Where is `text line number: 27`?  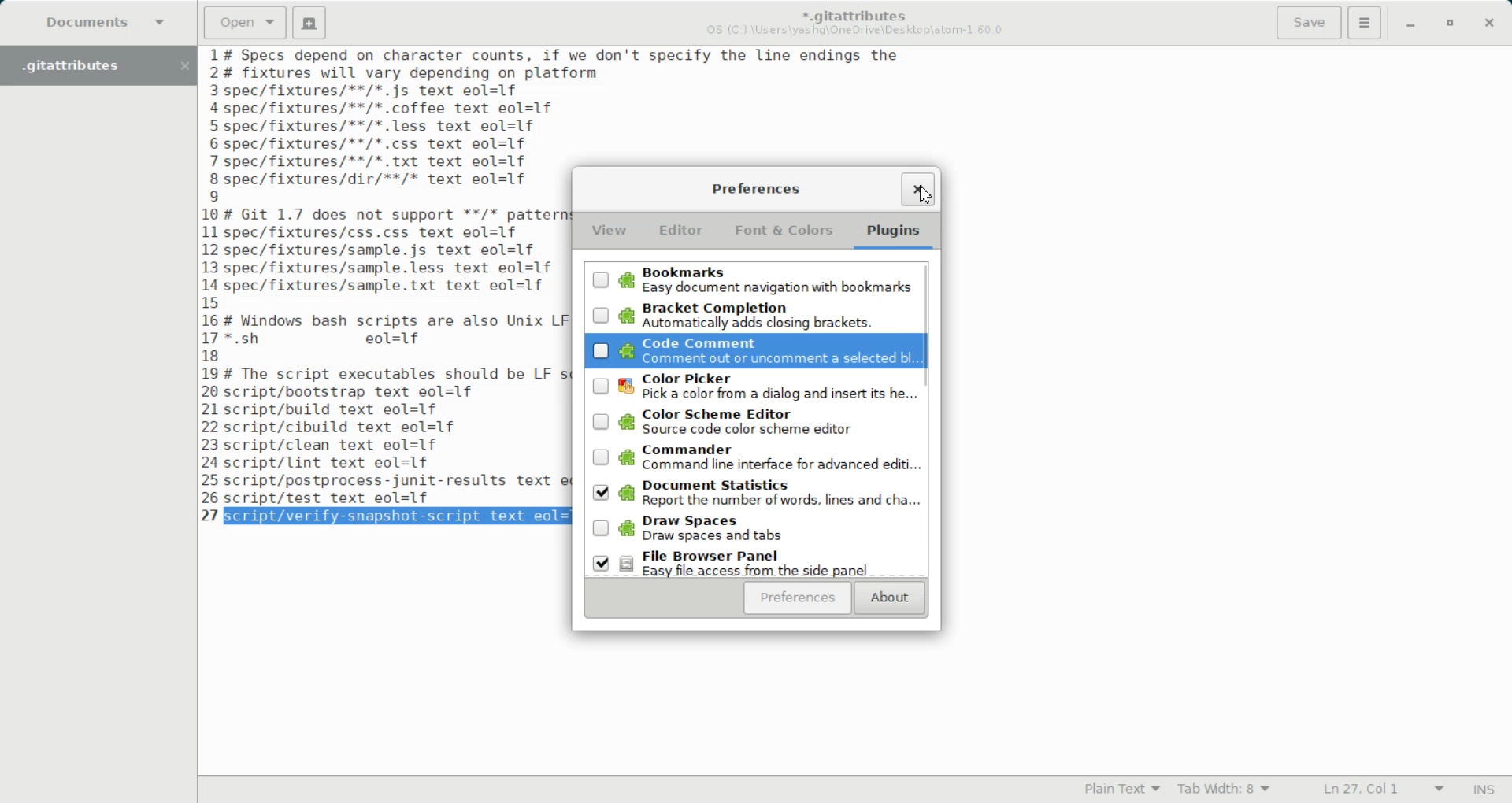 text line number: 27 is located at coordinates (212, 515).